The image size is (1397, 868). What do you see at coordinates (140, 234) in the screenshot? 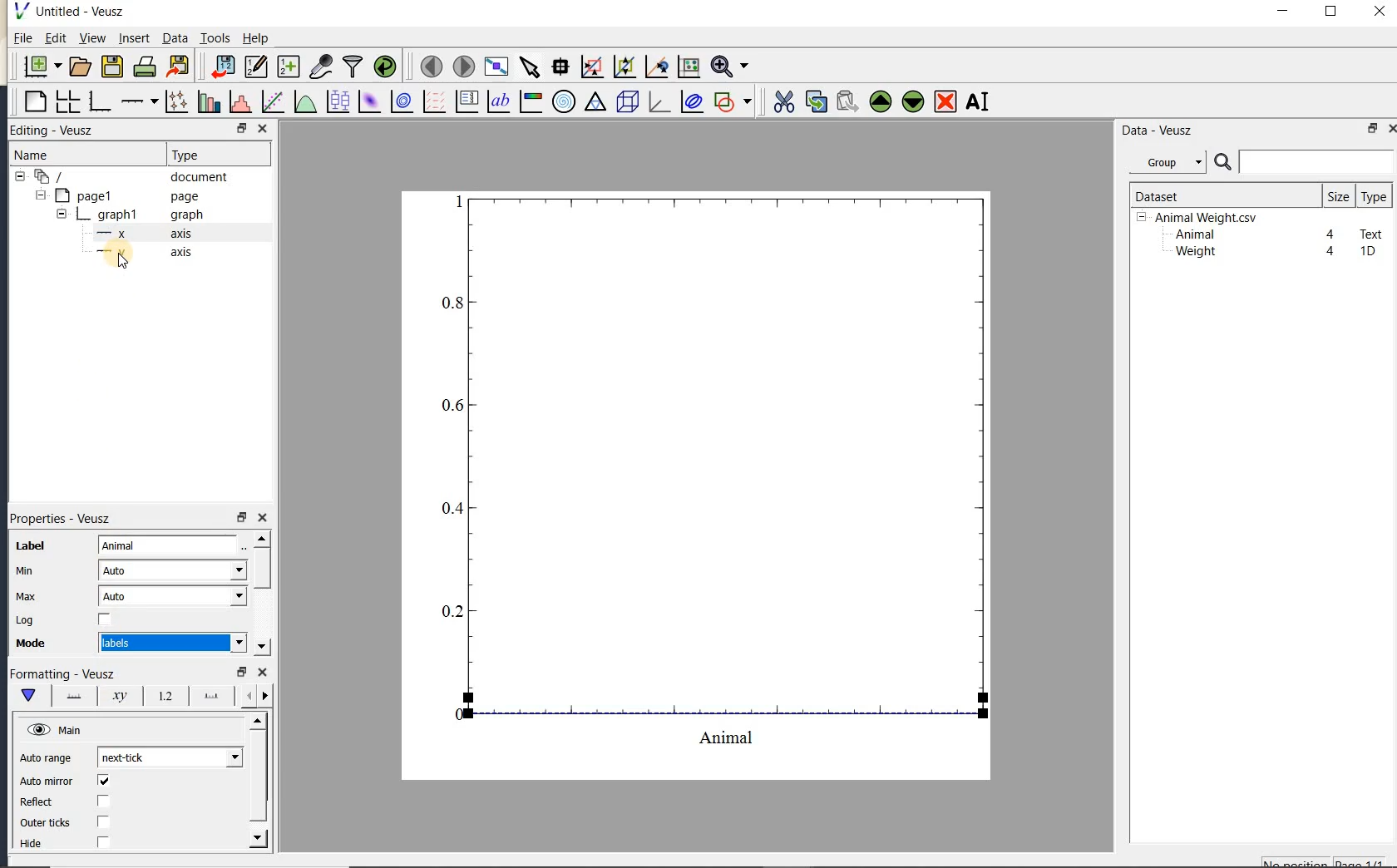
I see `axis` at bounding box center [140, 234].